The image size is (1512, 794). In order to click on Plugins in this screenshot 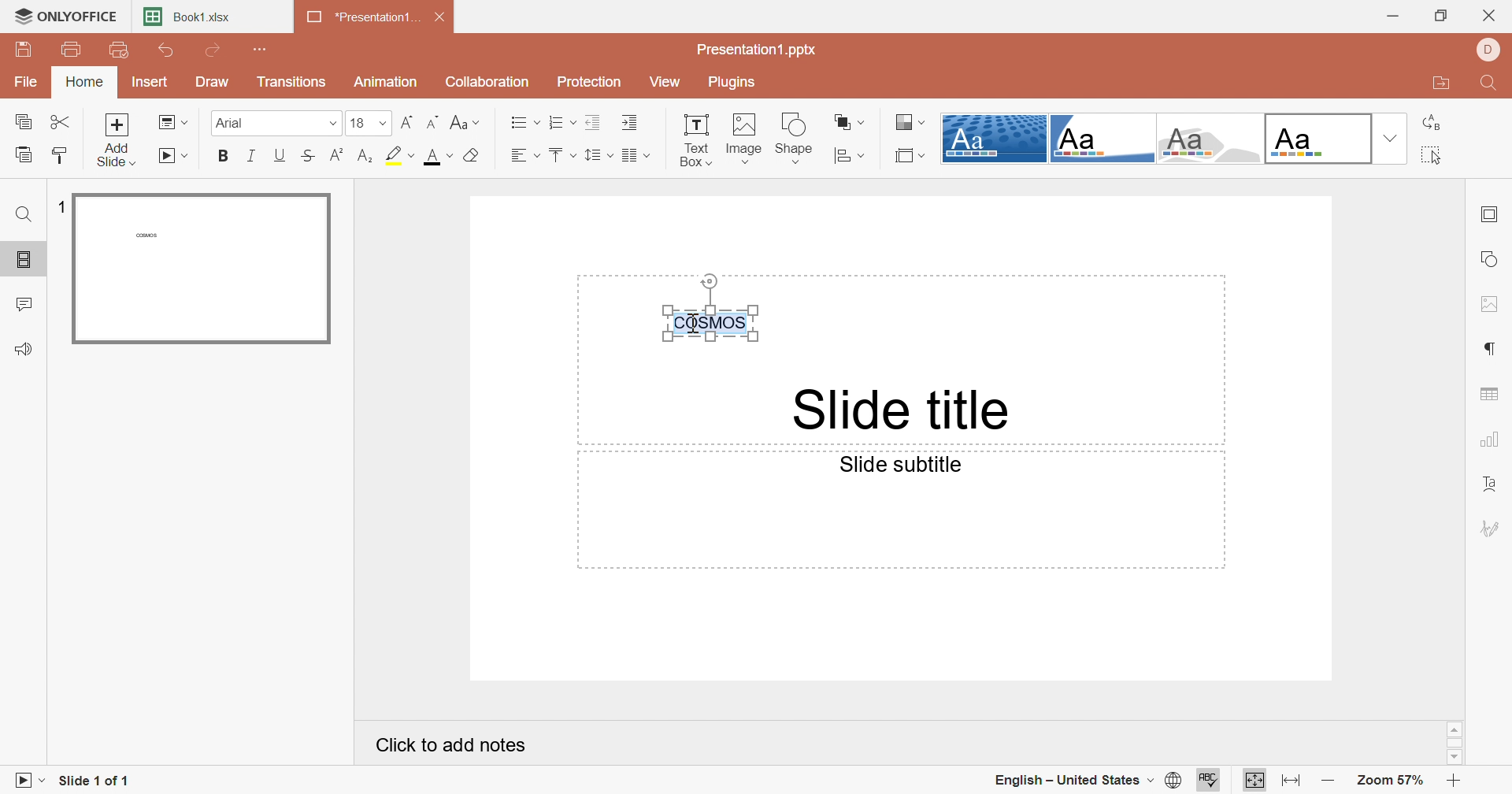, I will do `click(731, 83)`.